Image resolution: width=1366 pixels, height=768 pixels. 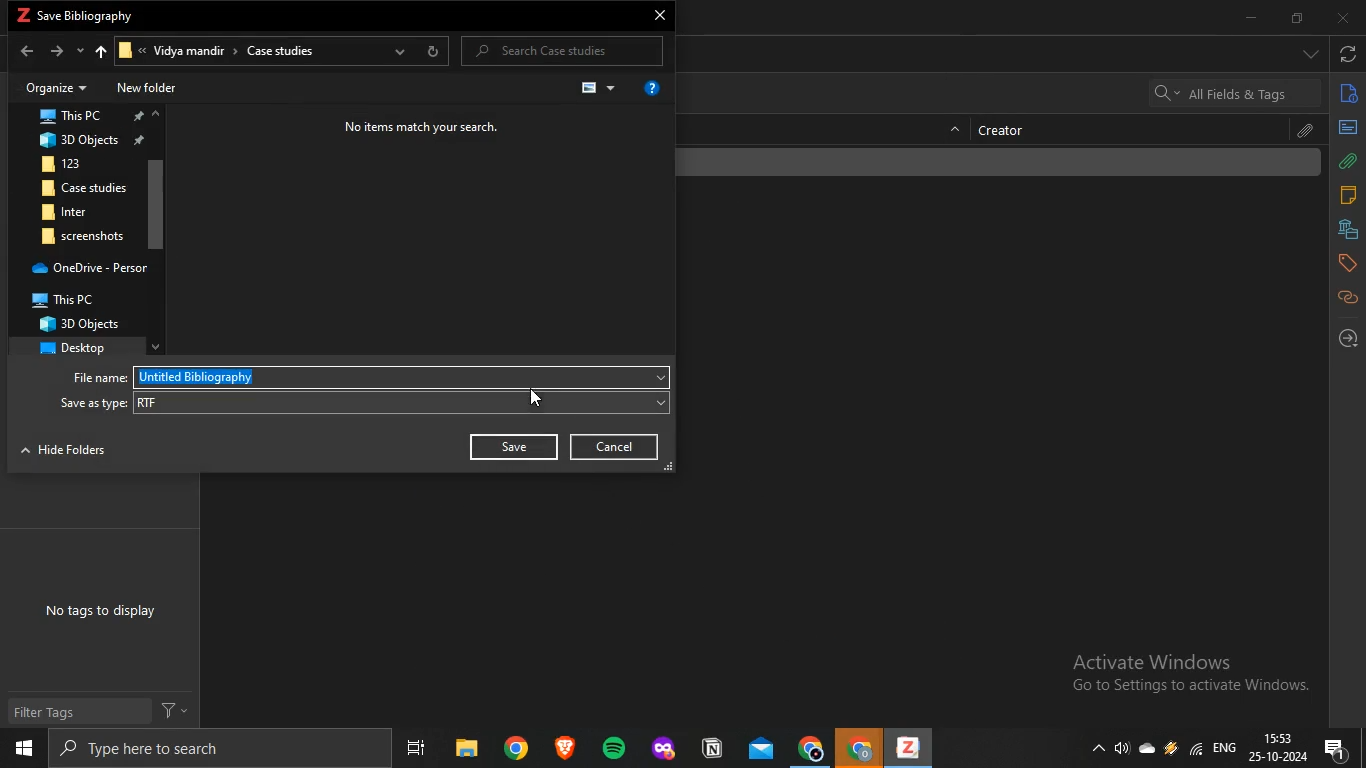 What do you see at coordinates (81, 53) in the screenshot?
I see `recent locations` at bounding box center [81, 53].